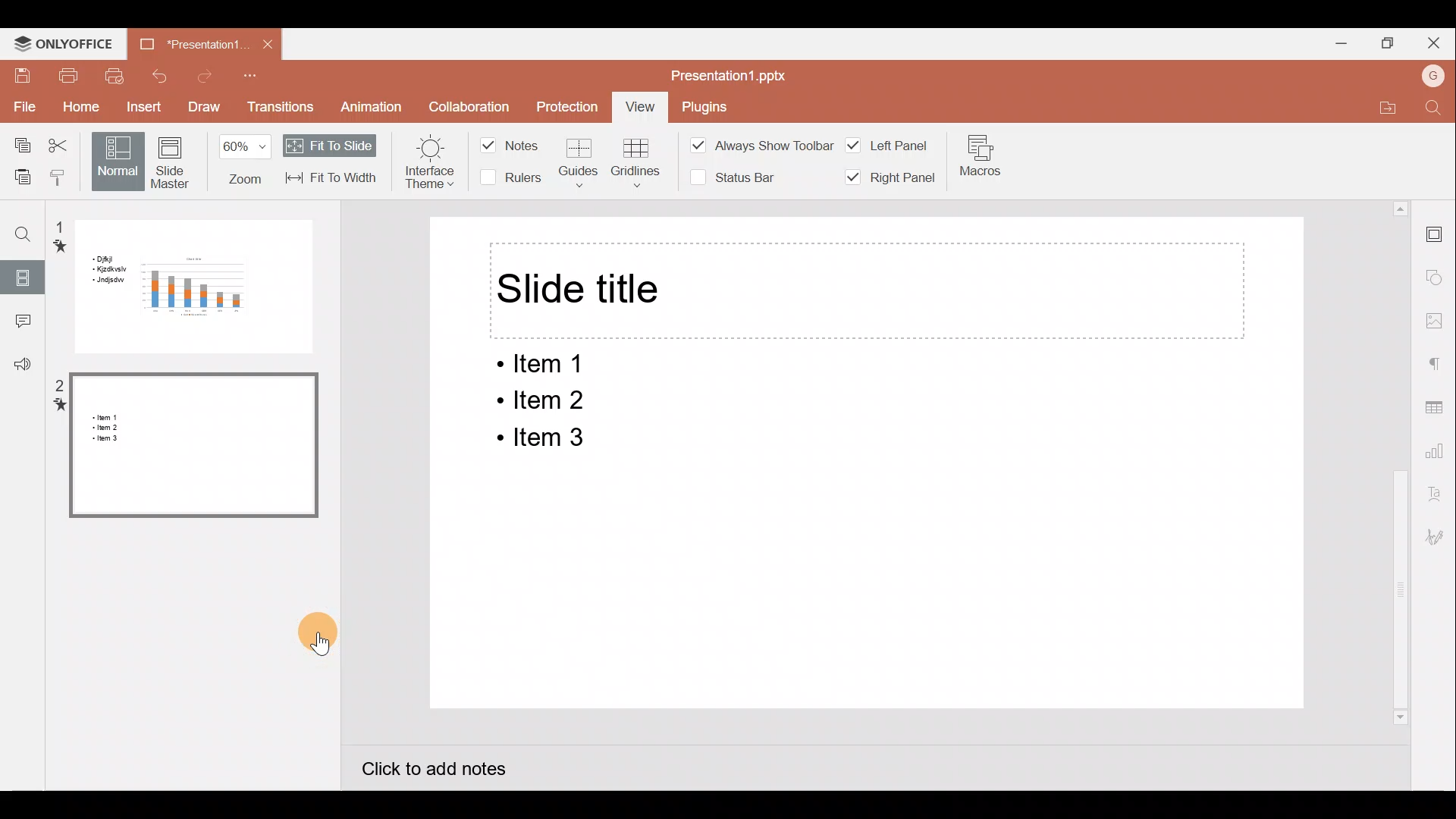 The image size is (1456, 819). I want to click on Draw, so click(202, 104).